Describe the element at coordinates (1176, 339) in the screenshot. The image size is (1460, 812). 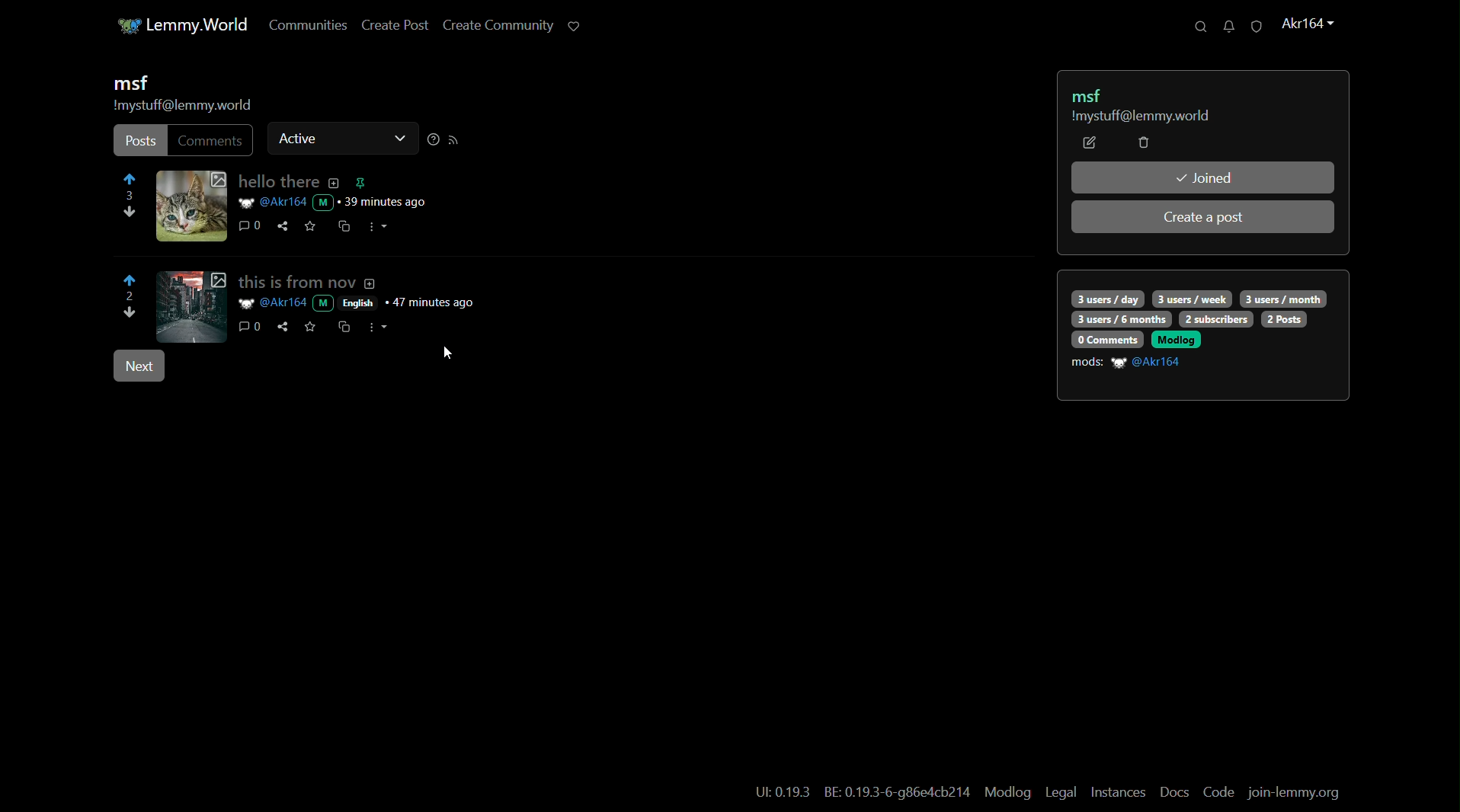
I see `modlog` at that location.